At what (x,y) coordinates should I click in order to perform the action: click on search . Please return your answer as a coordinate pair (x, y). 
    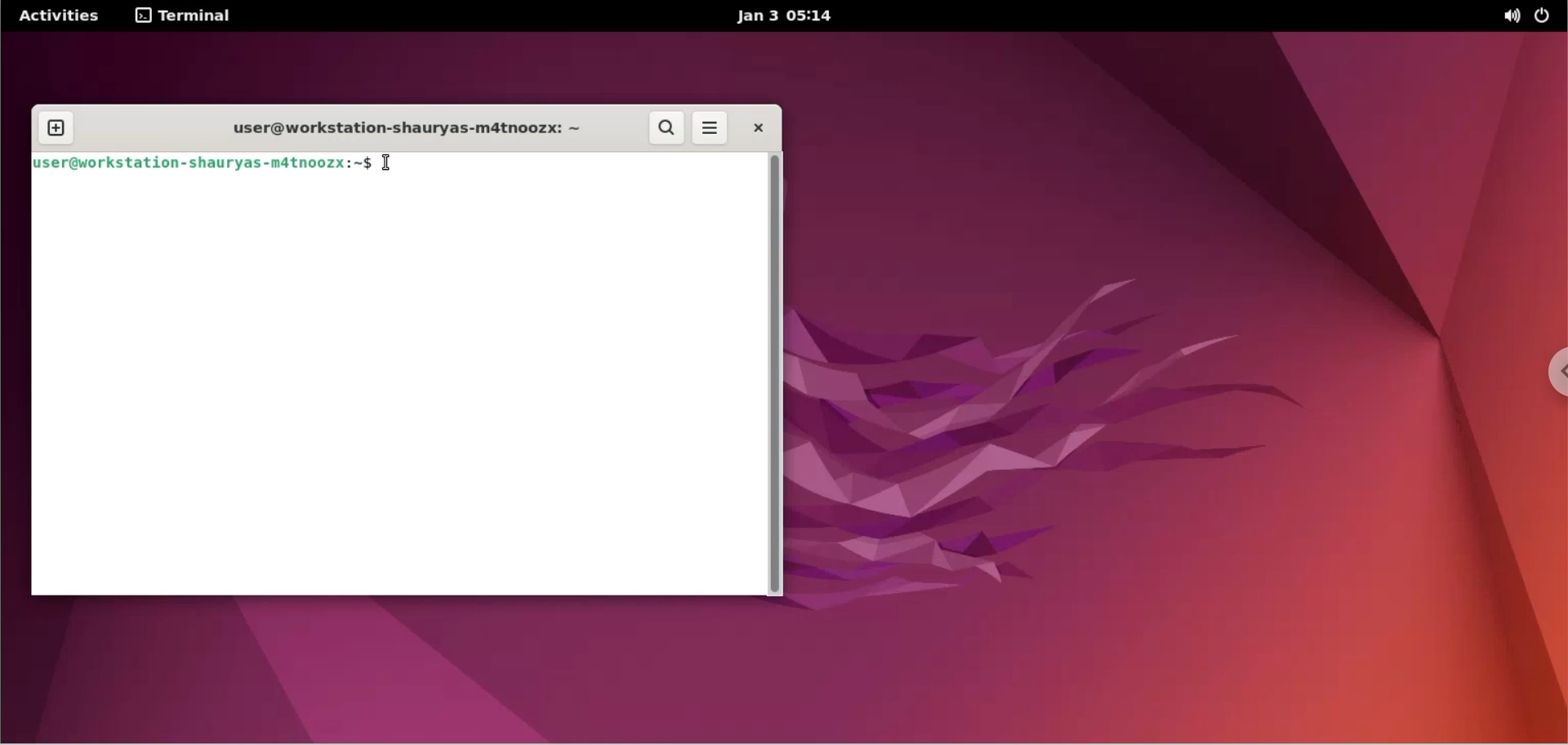
    Looking at the image, I should click on (667, 129).